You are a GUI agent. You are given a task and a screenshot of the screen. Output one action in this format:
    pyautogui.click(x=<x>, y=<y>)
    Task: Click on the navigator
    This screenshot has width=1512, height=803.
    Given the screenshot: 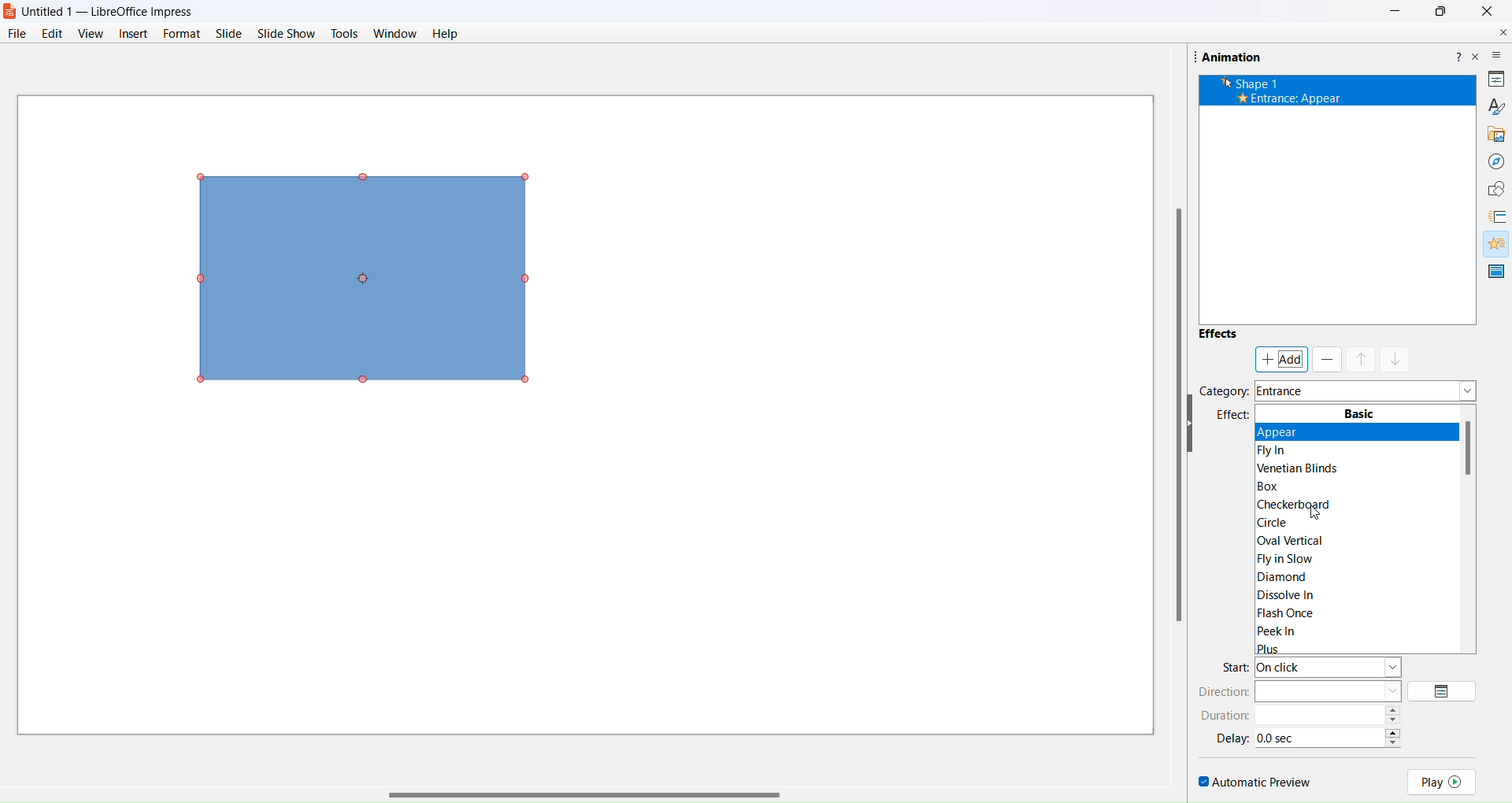 What is the action you would take?
    pyautogui.click(x=1495, y=161)
    